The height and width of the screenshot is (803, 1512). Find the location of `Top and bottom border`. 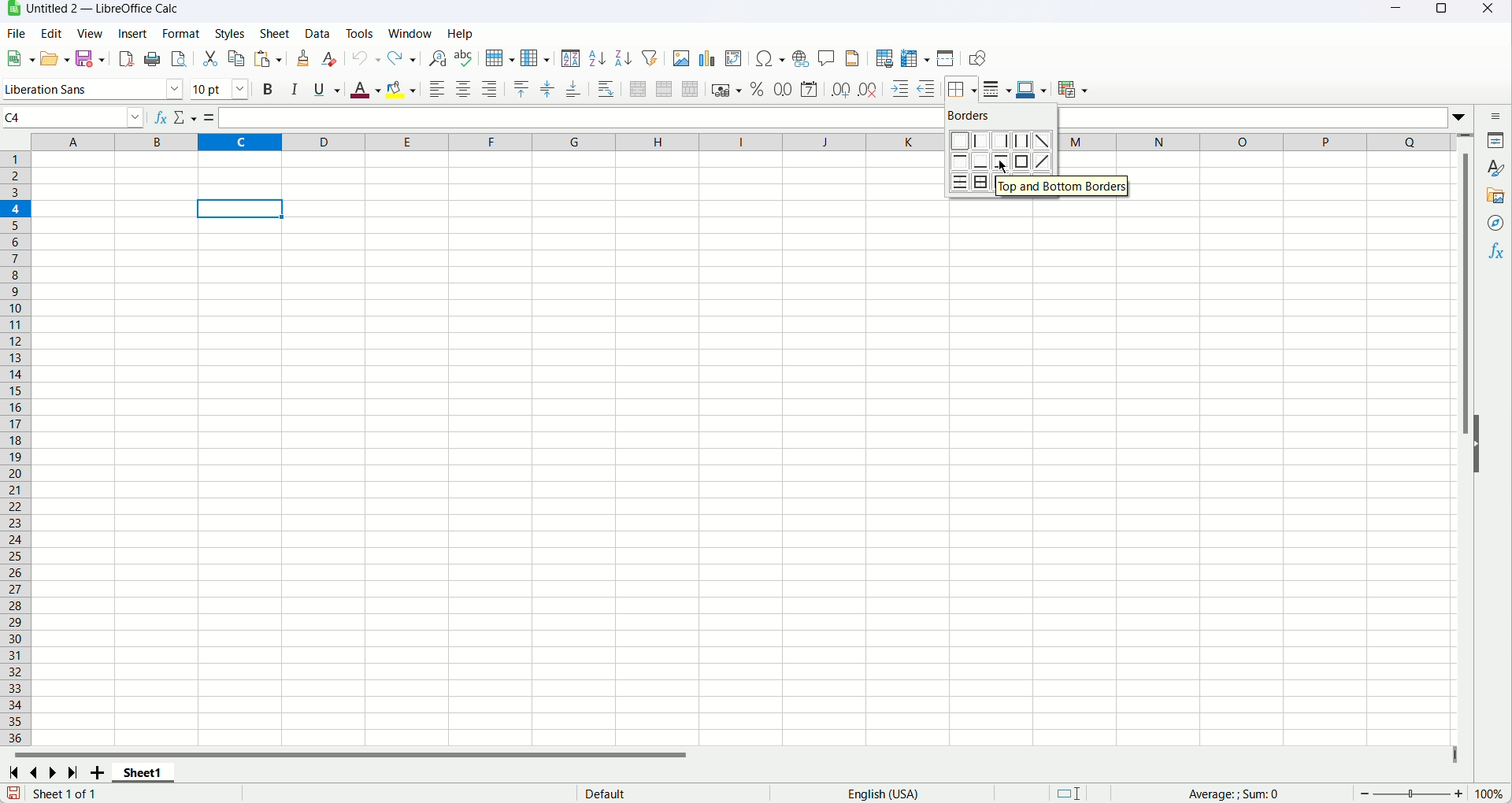

Top and bottom border is located at coordinates (1061, 186).